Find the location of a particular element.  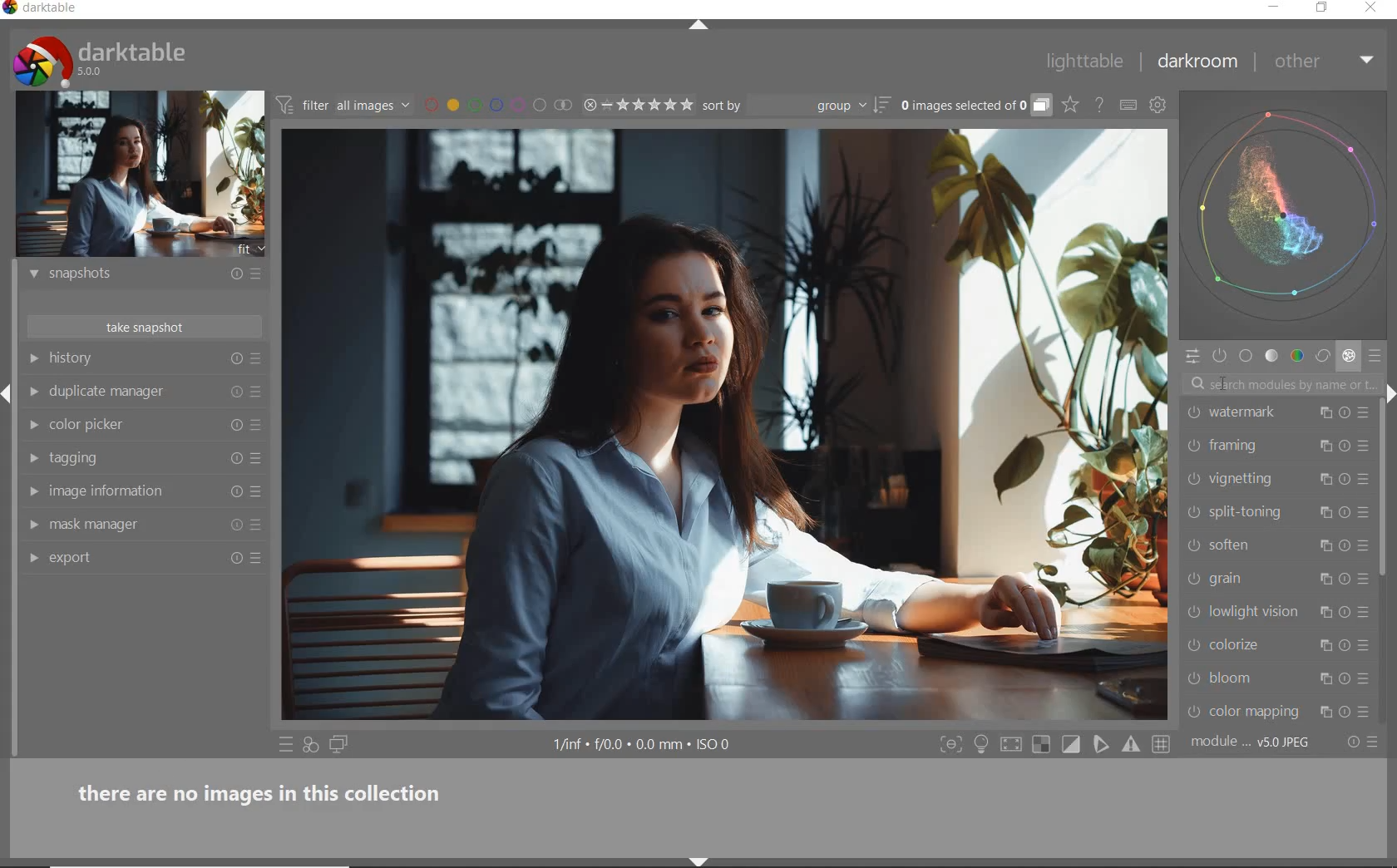

color mapping is located at coordinates (1258, 711).